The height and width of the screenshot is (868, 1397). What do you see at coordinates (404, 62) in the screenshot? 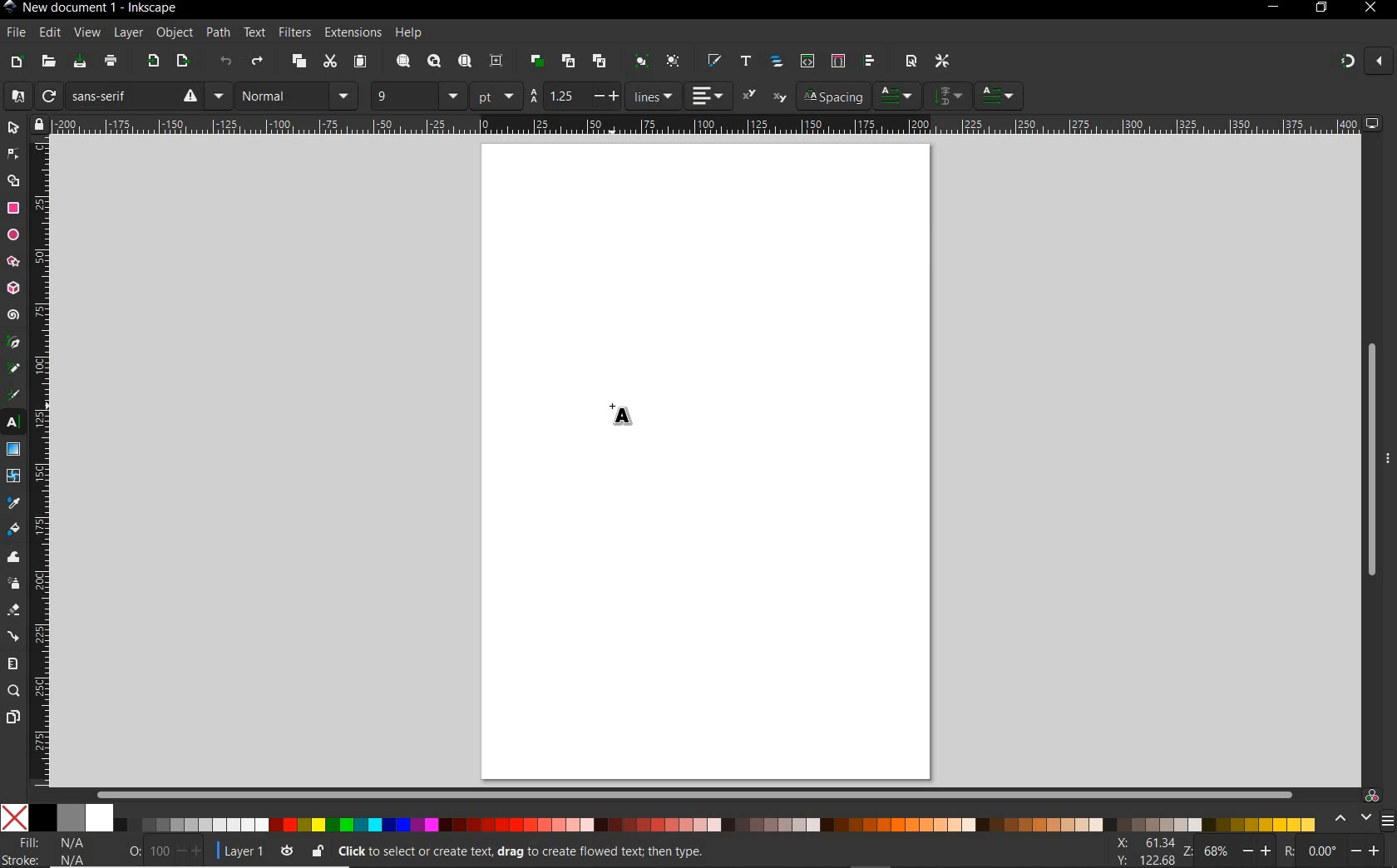
I see `zoom selection` at bounding box center [404, 62].